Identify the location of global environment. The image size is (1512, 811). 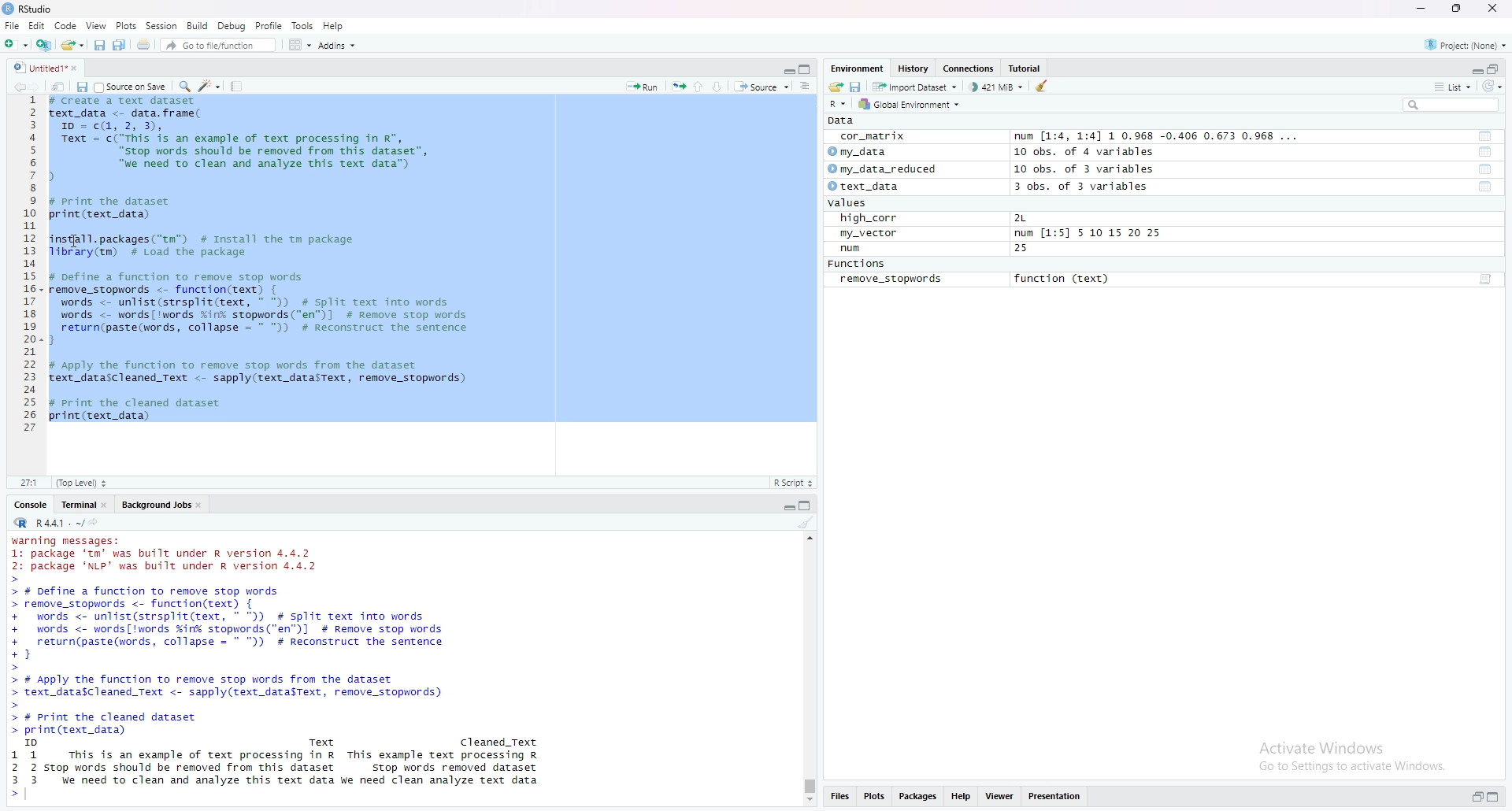
(916, 106).